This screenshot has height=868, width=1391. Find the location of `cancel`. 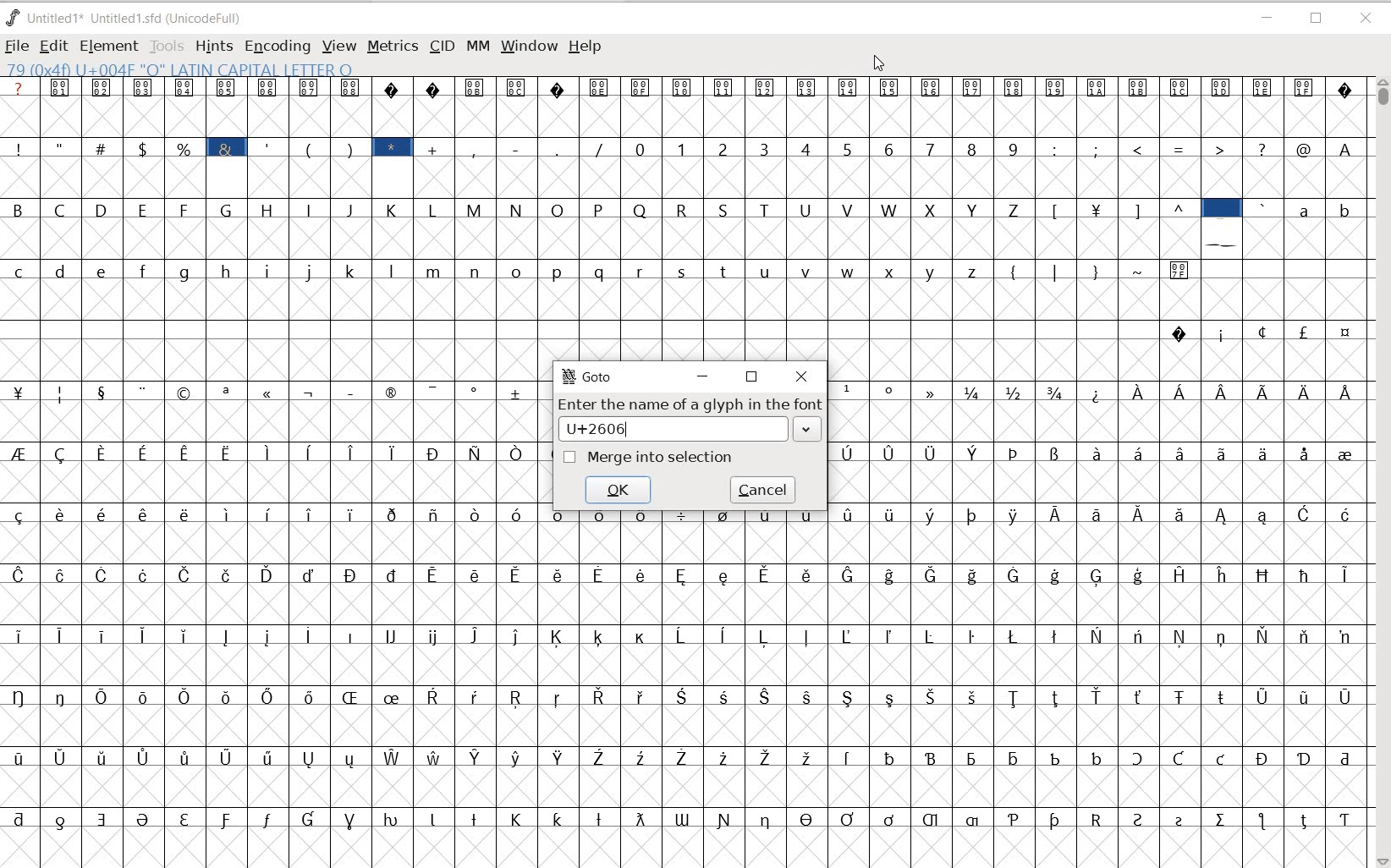

cancel is located at coordinates (764, 490).